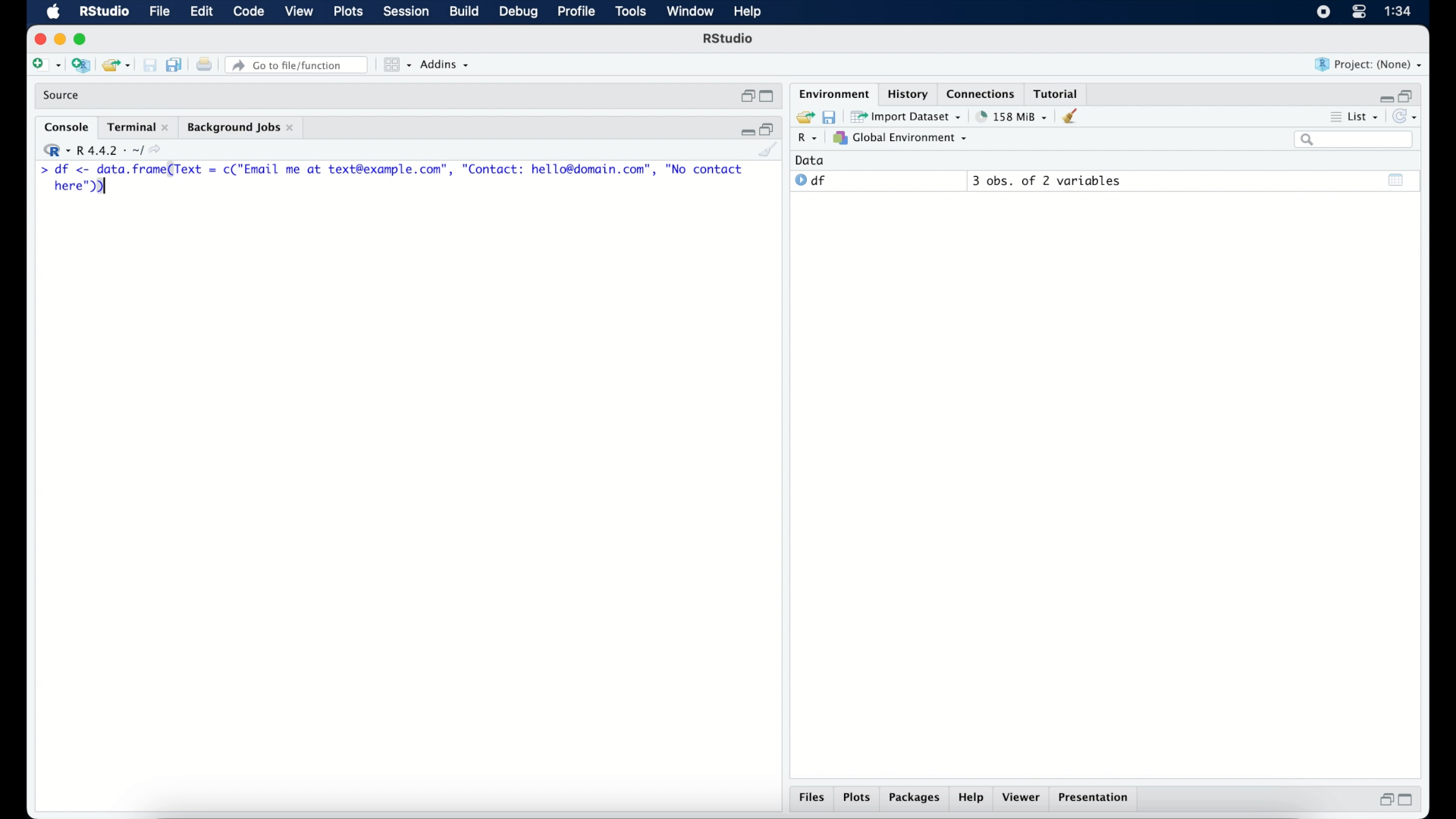 This screenshot has height=819, width=1456. What do you see at coordinates (1407, 801) in the screenshot?
I see `maximize` at bounding box center [1407, 801].